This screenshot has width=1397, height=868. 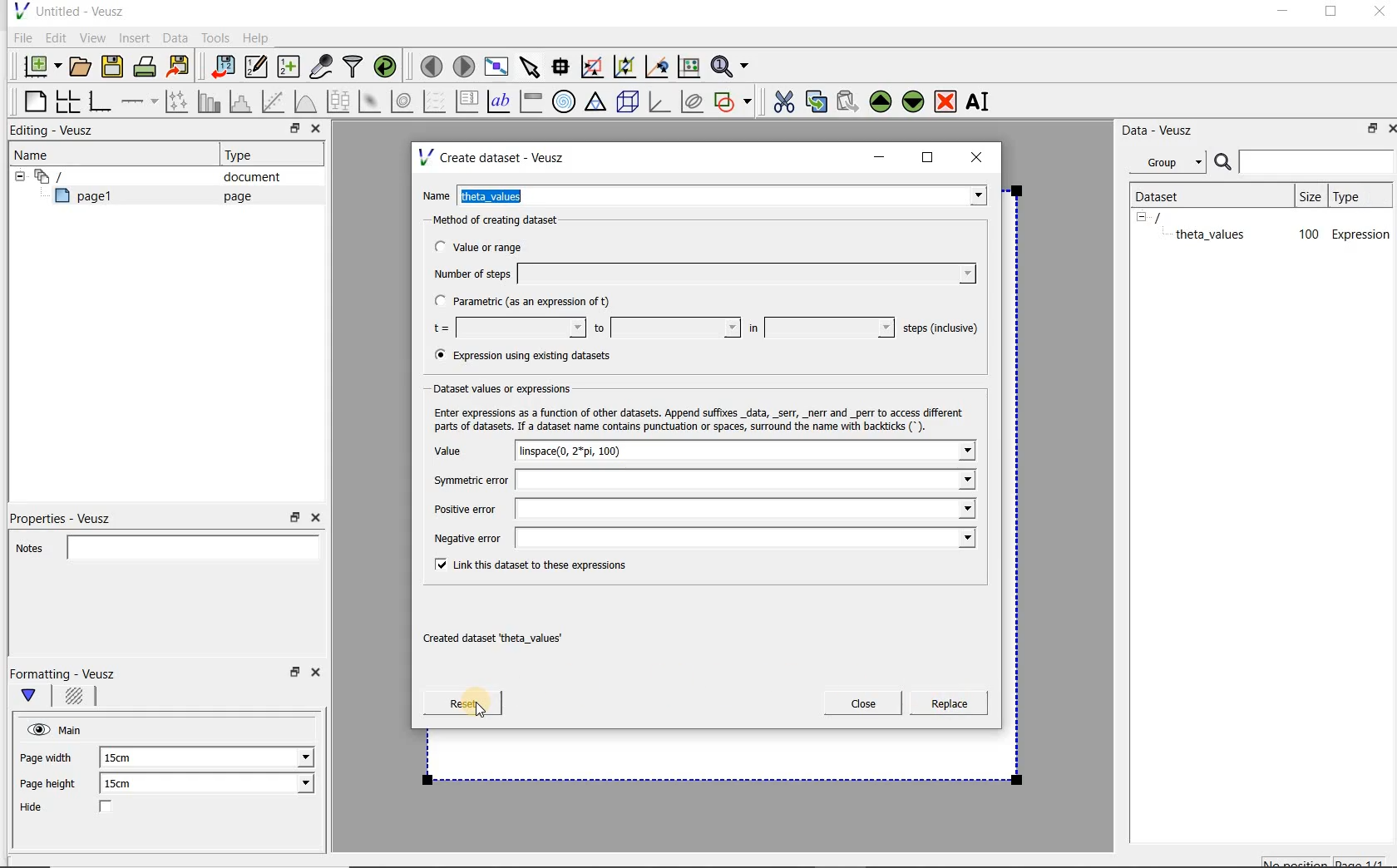 What do you see at coordinates (214, 38) in the screenshot?
I see `Tools` at bounding box center [214, 38].